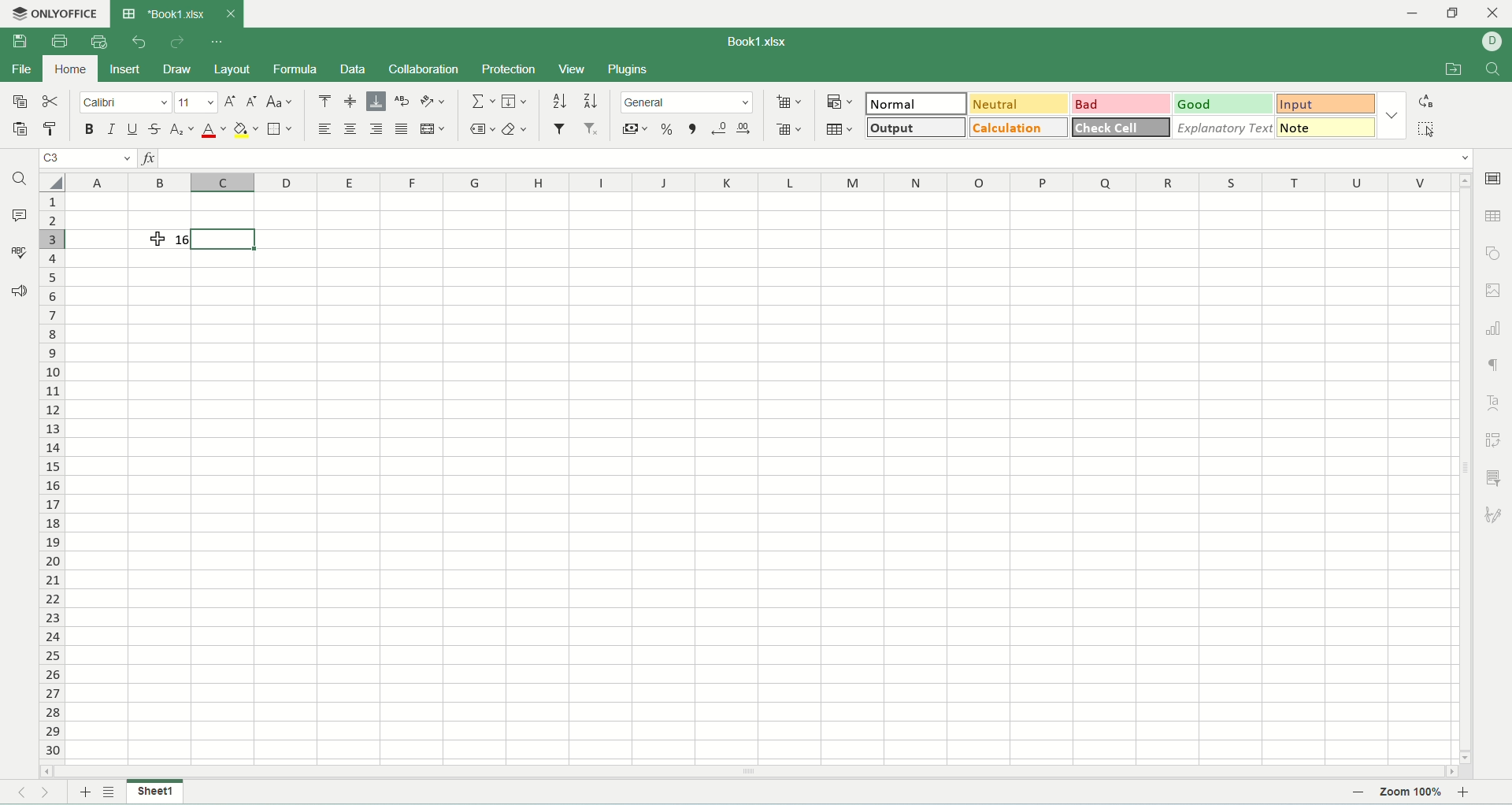 The width and height of the screenshot is (1512, 805). Describe the element at coordinates (53, 477) in the screenshot. I see `row number` at that location.